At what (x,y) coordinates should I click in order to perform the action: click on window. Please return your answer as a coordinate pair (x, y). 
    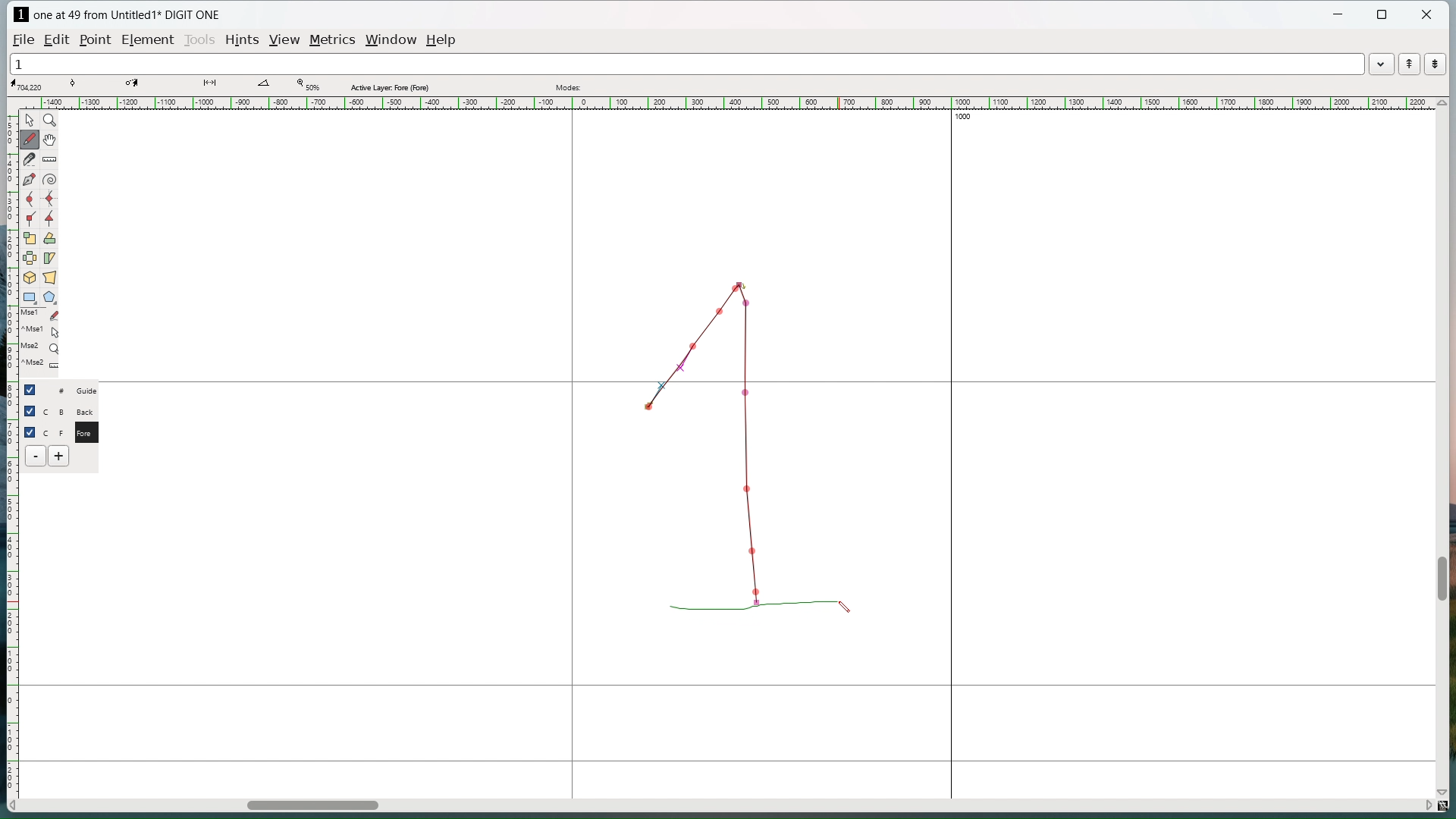
    Looking at the image, I should click on (393, 39).